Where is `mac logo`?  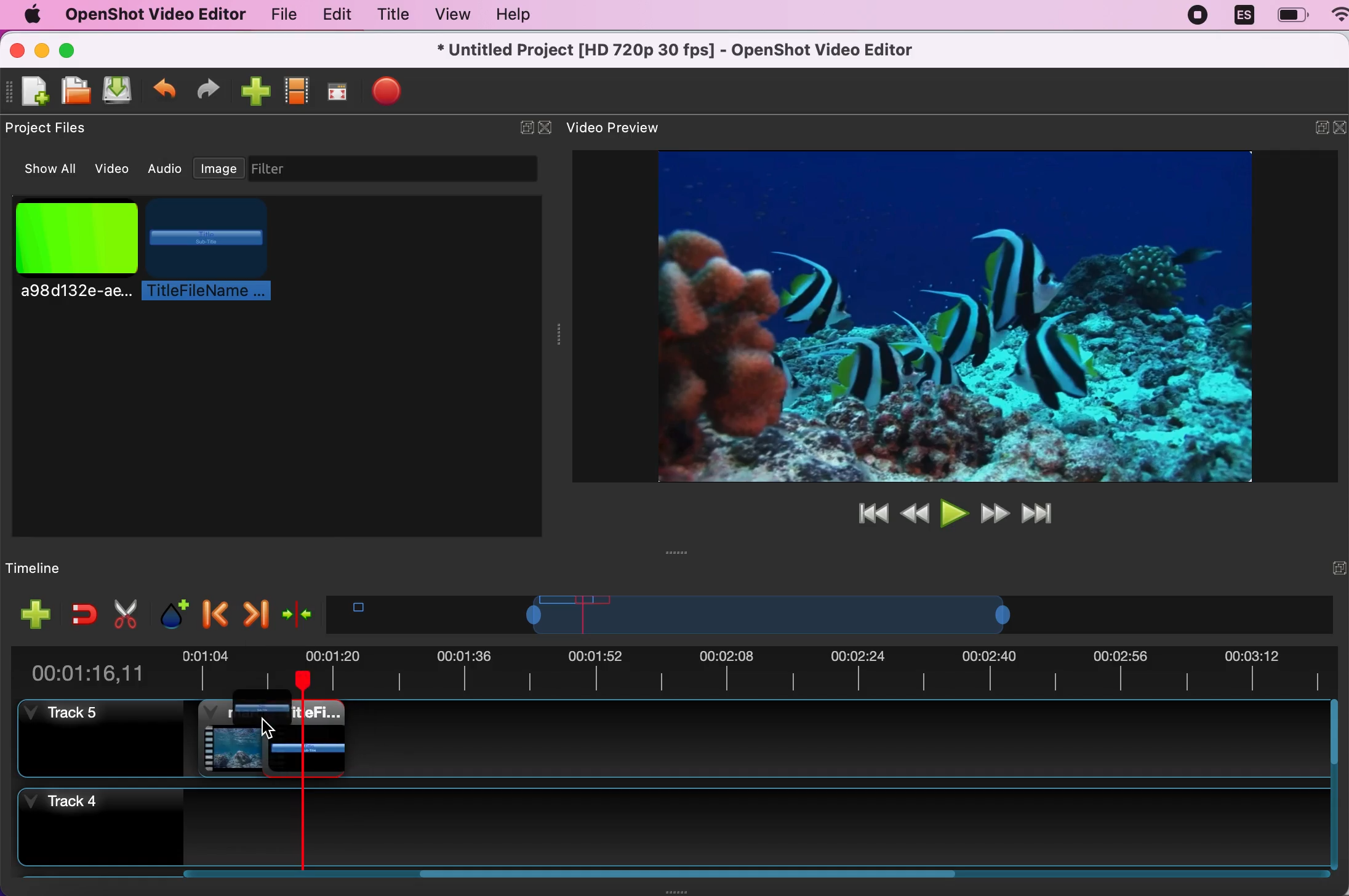 mac logo is located at coordinates (31, 14).